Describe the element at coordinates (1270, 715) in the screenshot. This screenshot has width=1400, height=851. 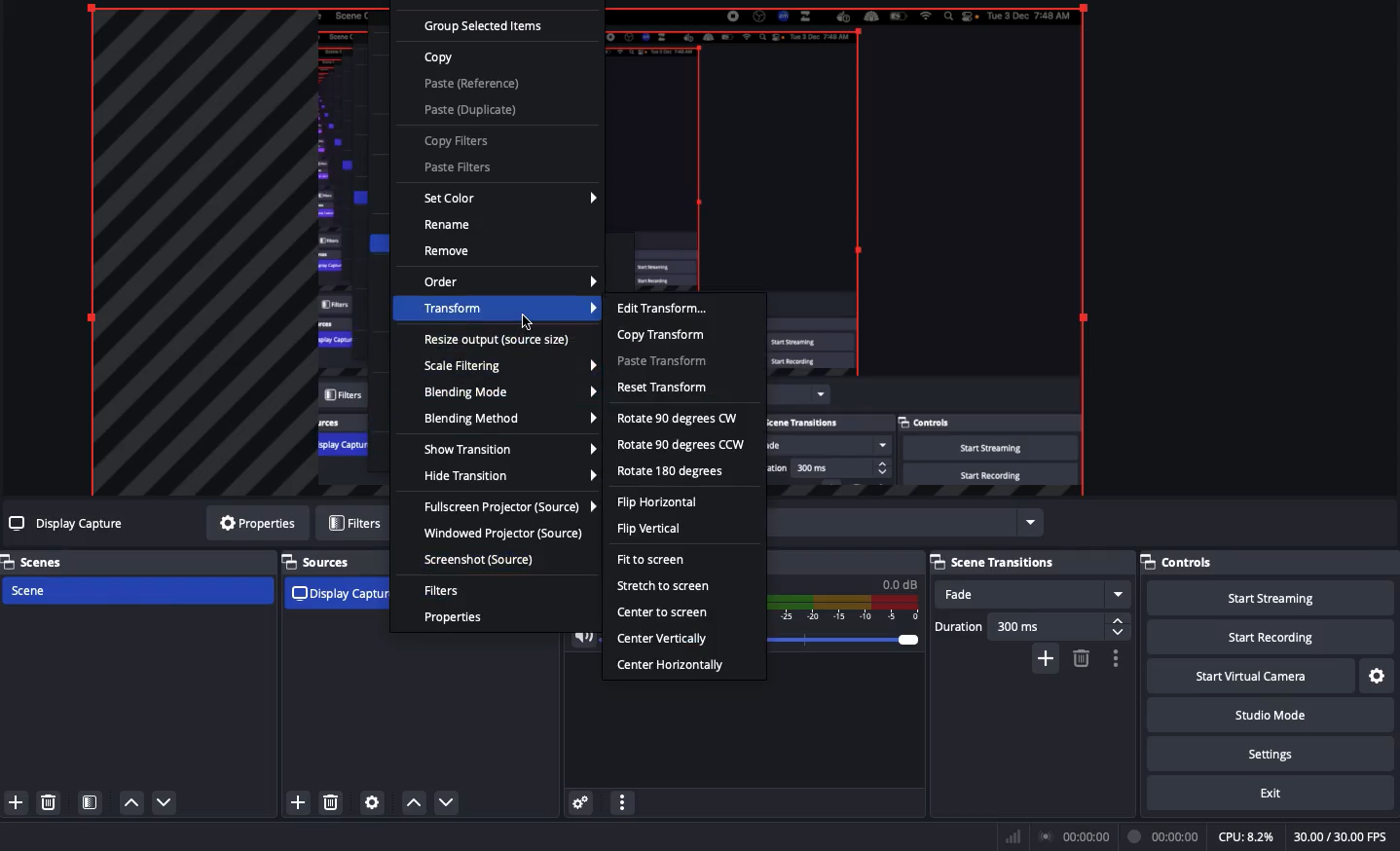
I see `Studio mode` at that location.